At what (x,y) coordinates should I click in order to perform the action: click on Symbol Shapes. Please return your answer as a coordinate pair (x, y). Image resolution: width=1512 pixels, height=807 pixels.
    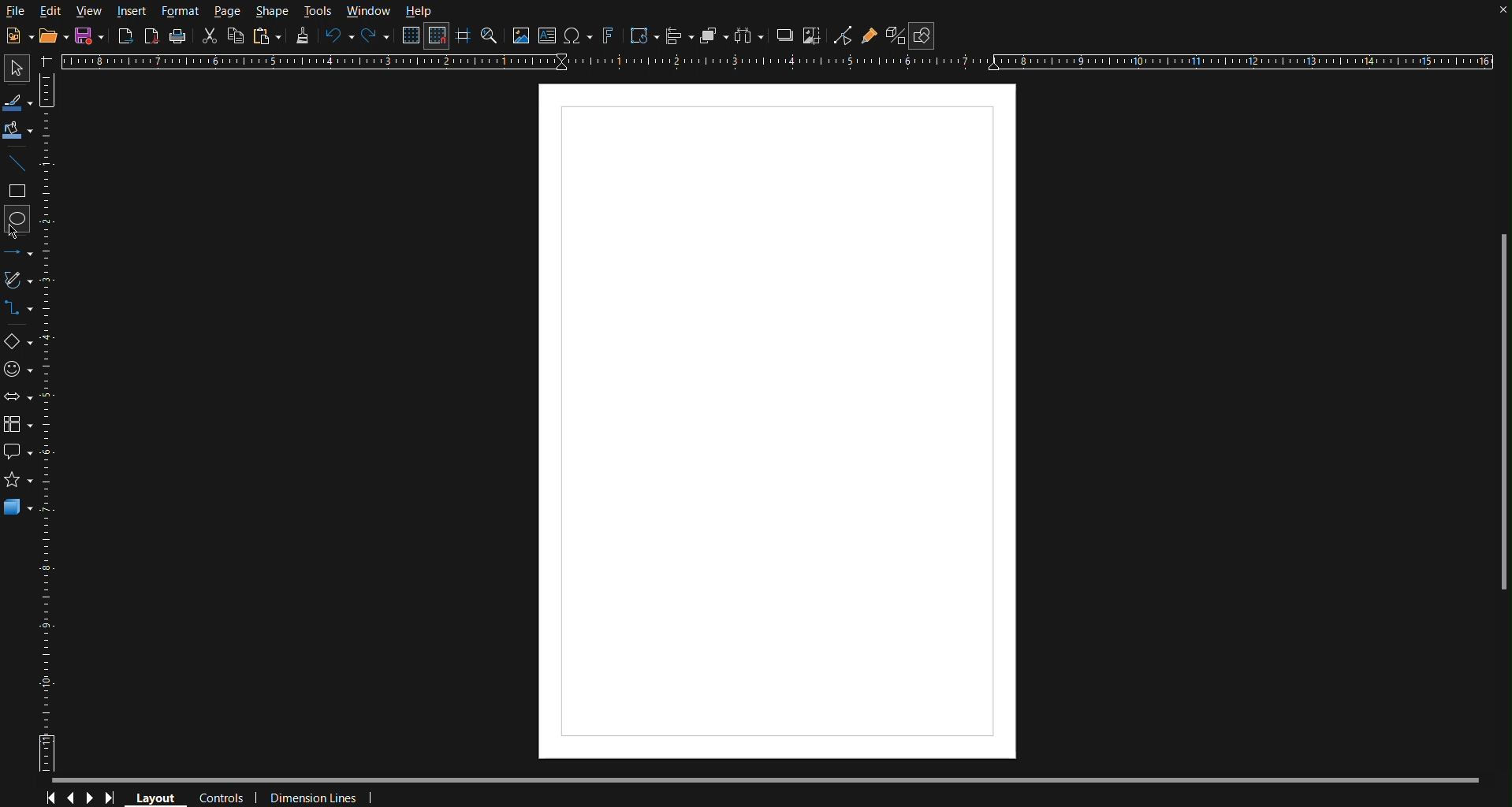
    Looking at the image, I should click on (18, 373).